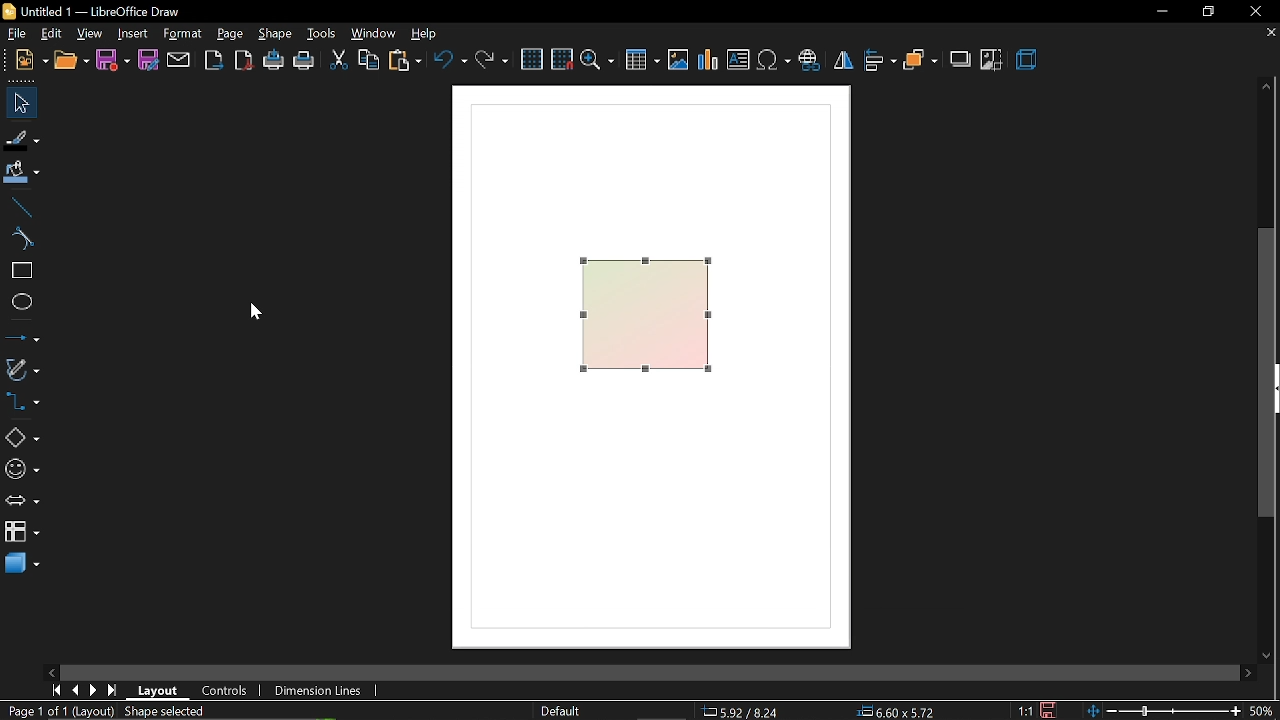  What do you see at coordinates (14, 34) in the screenshot?
I see `file` at bounding box center [14, 34].